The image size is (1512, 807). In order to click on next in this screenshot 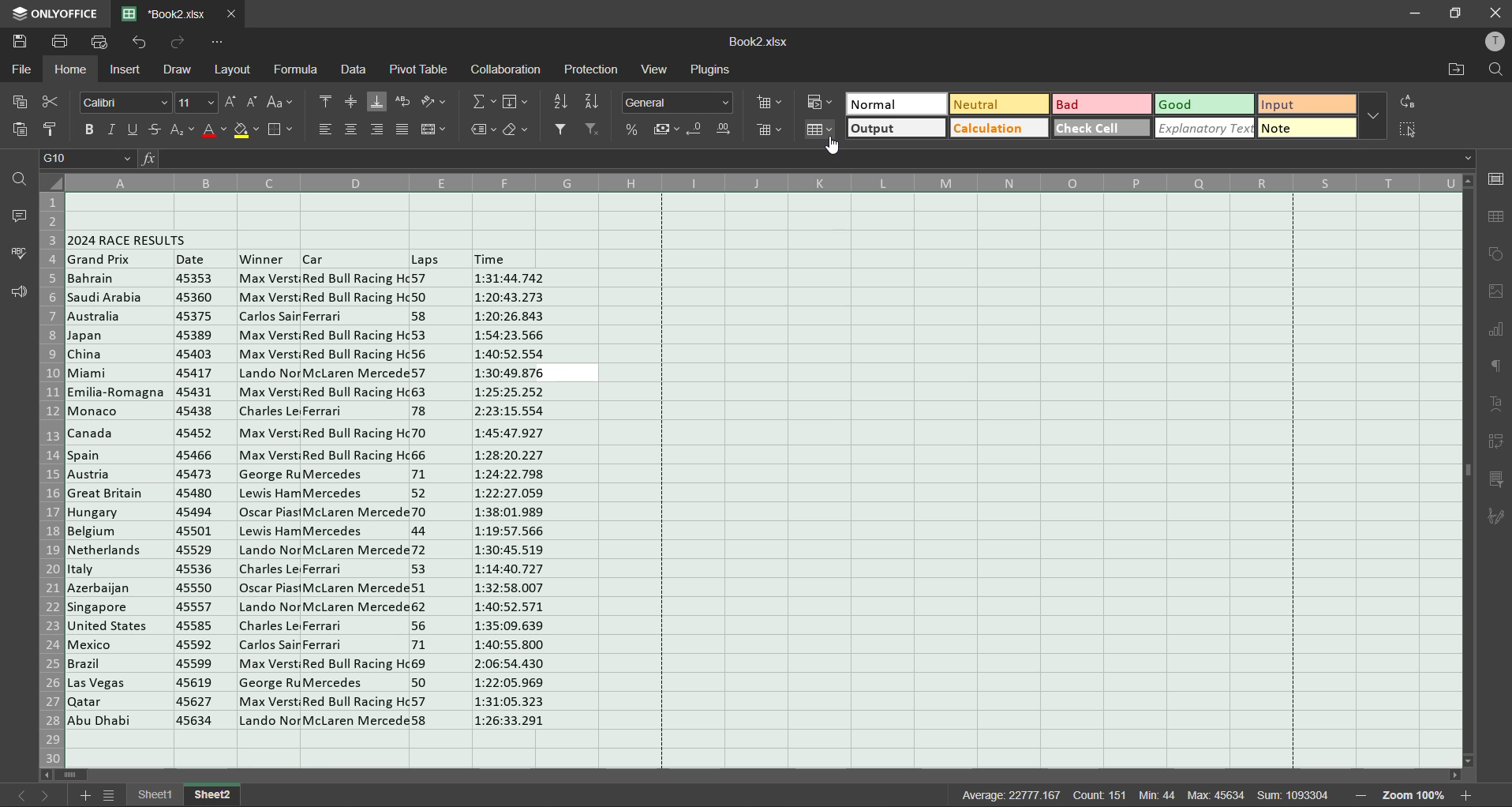, I will do `click(47, 795)`.